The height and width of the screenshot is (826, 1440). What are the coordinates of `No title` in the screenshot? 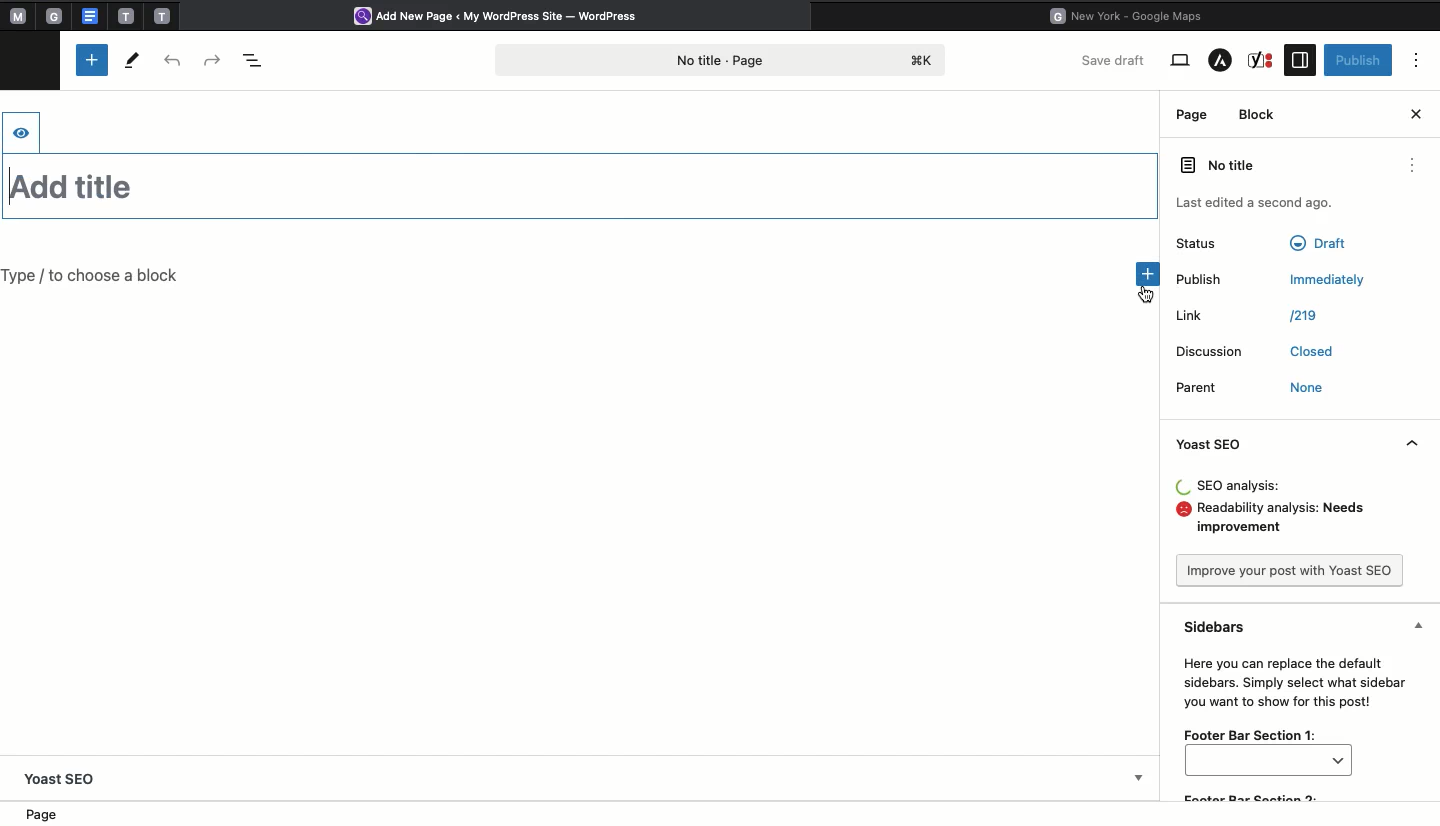 It's located at (1258, 162).